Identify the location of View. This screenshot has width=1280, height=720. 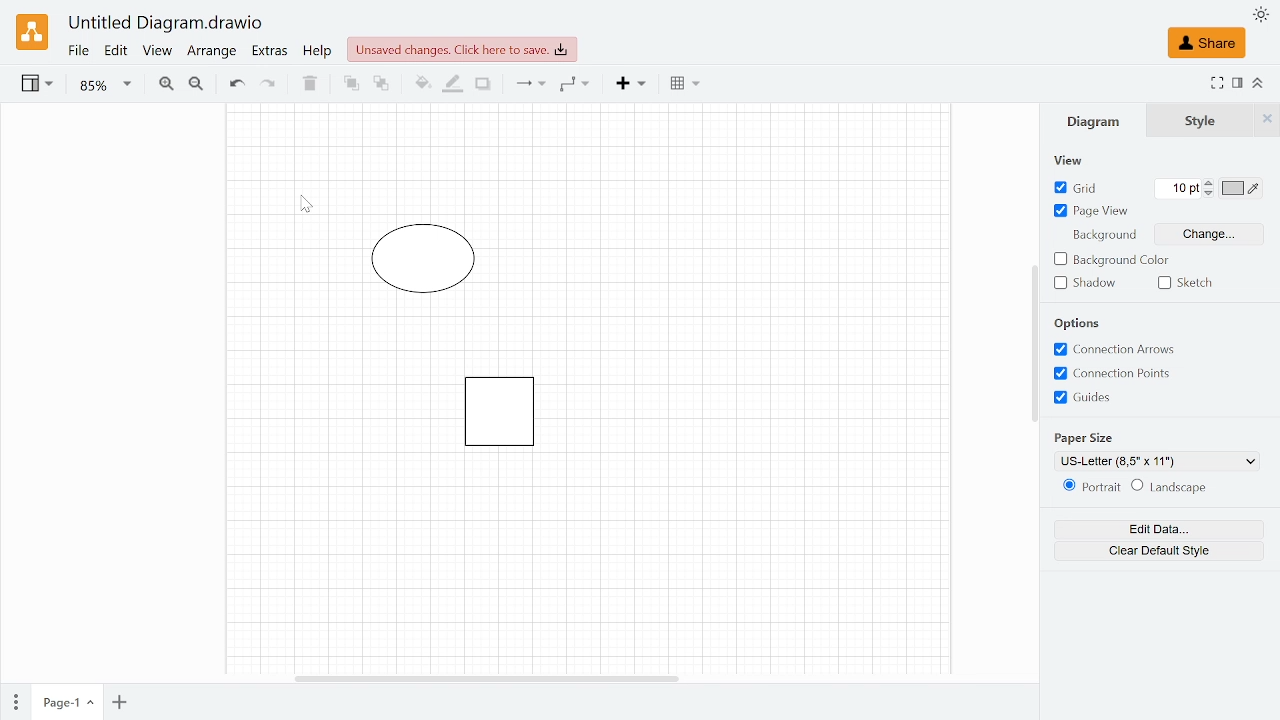
(39, 86).